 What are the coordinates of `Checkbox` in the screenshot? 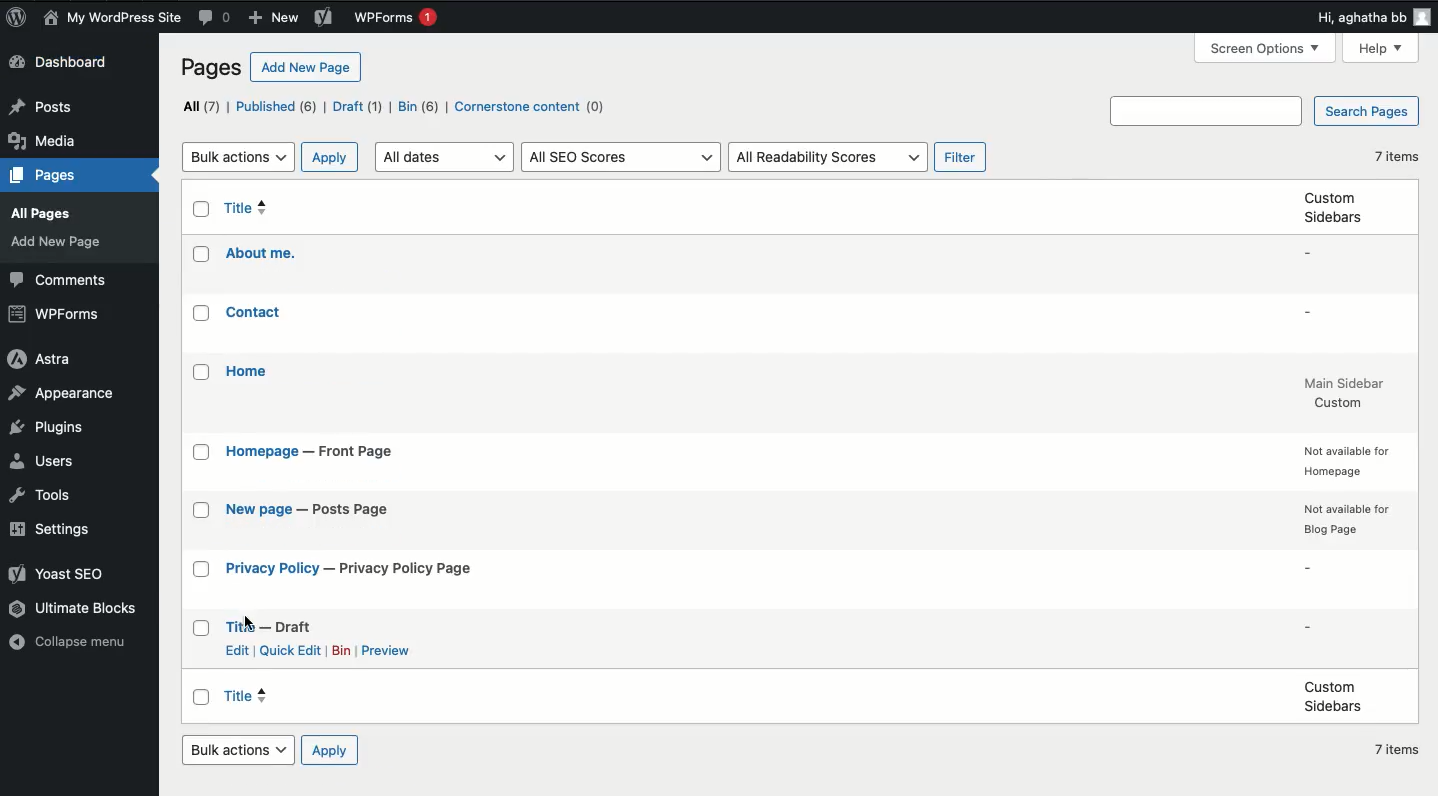 It's located at (202, 695).